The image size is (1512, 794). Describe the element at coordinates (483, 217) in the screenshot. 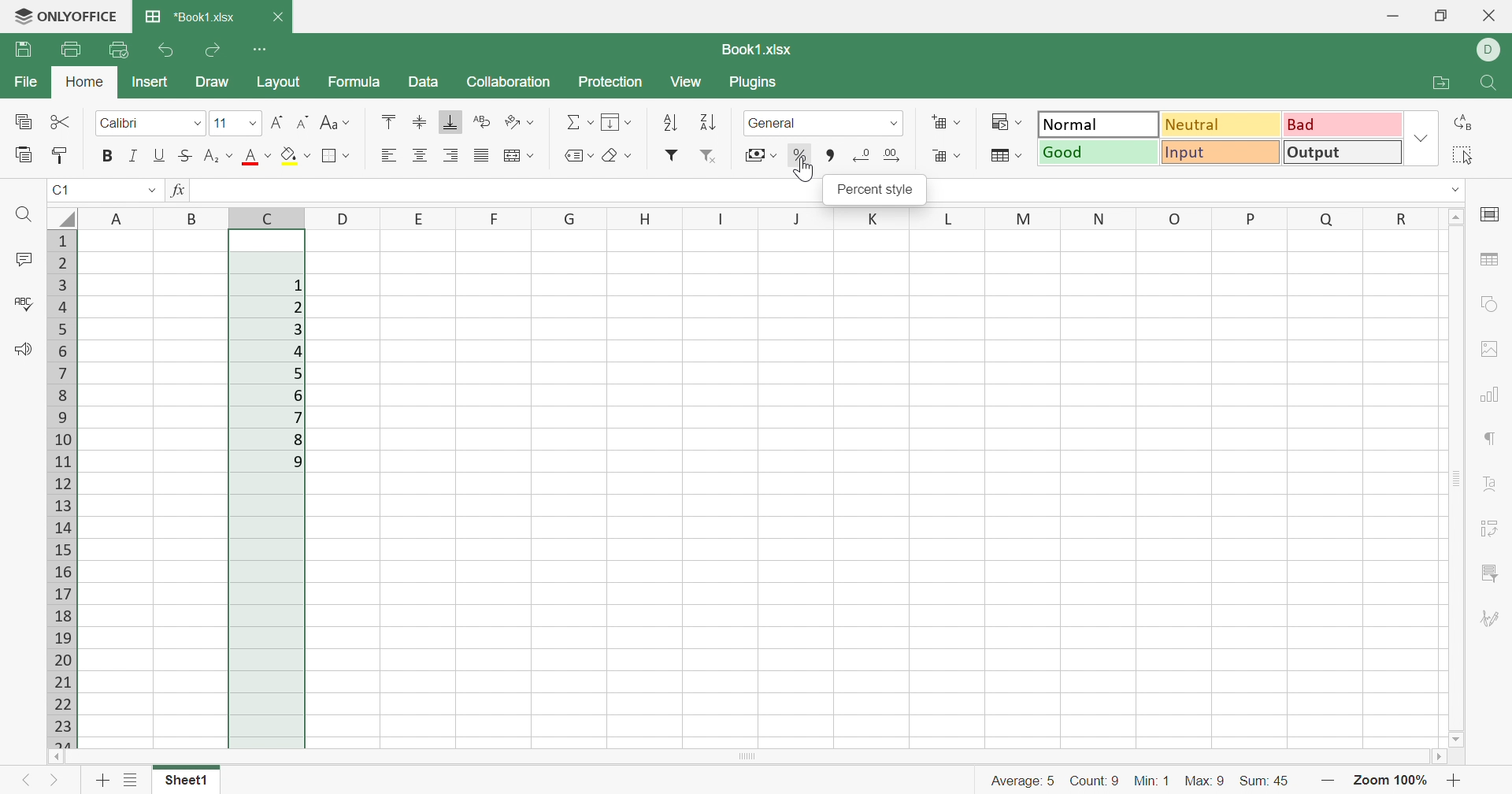

I see `F` at that location.